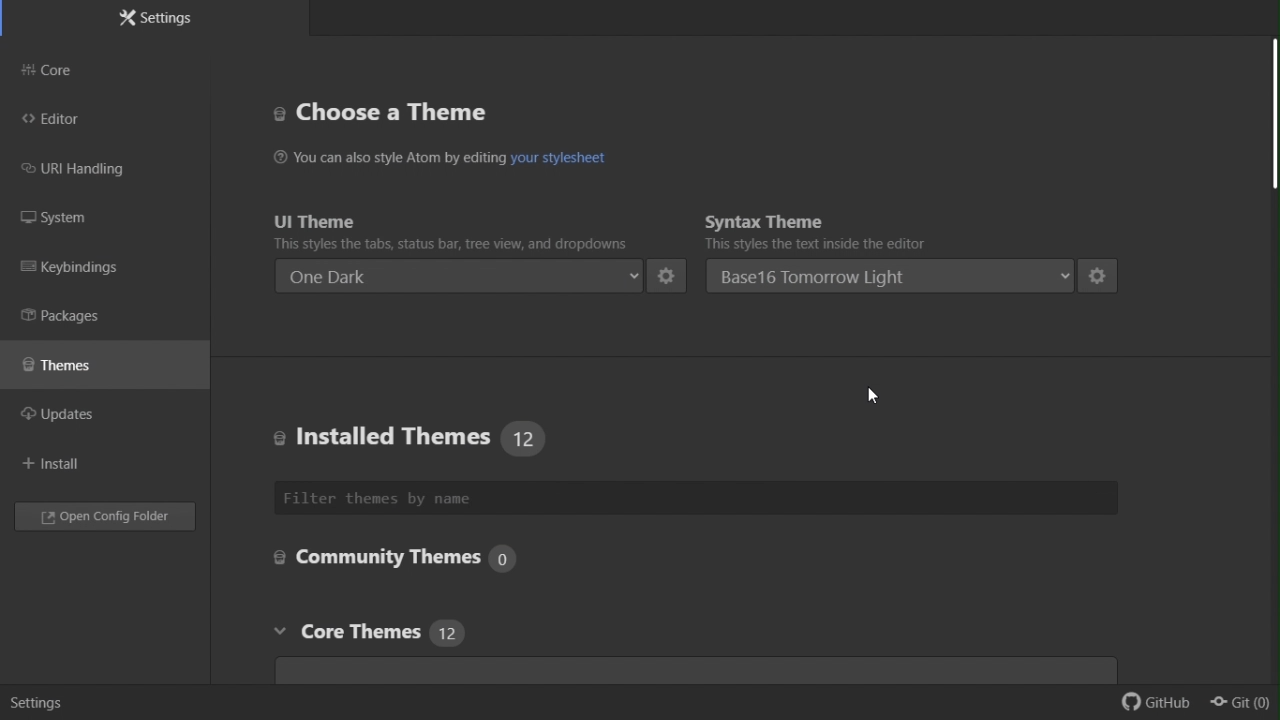  What do you see at coordinates (1148, 706) in the screenshot?
I see `github` at bounding box center [1148, 706].